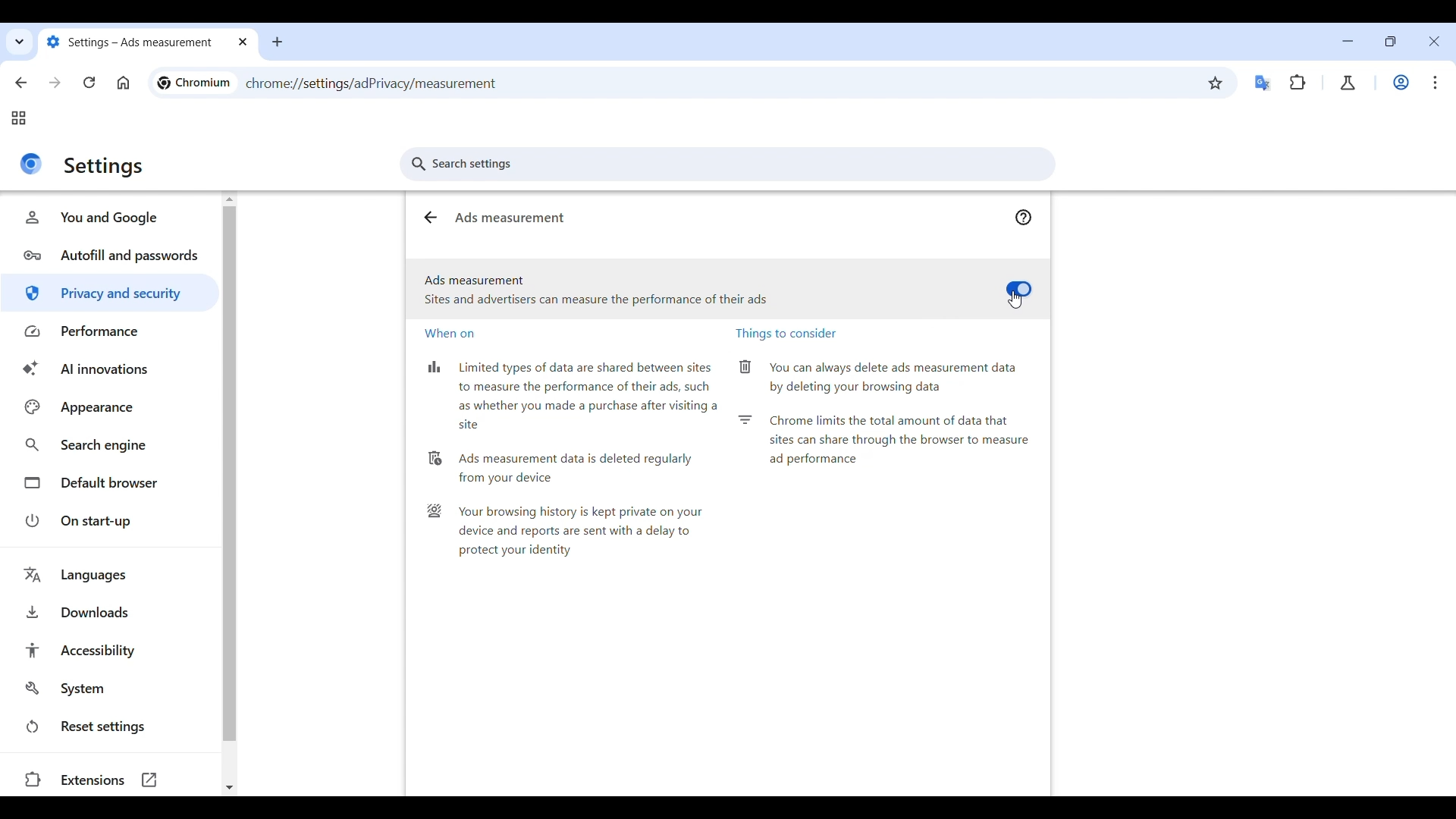 The width and height of the screenshot is (1456, 819). Describe the element at coordinates (430, 218) in the screenshot. I see `Go back to ads privacy` at that location.